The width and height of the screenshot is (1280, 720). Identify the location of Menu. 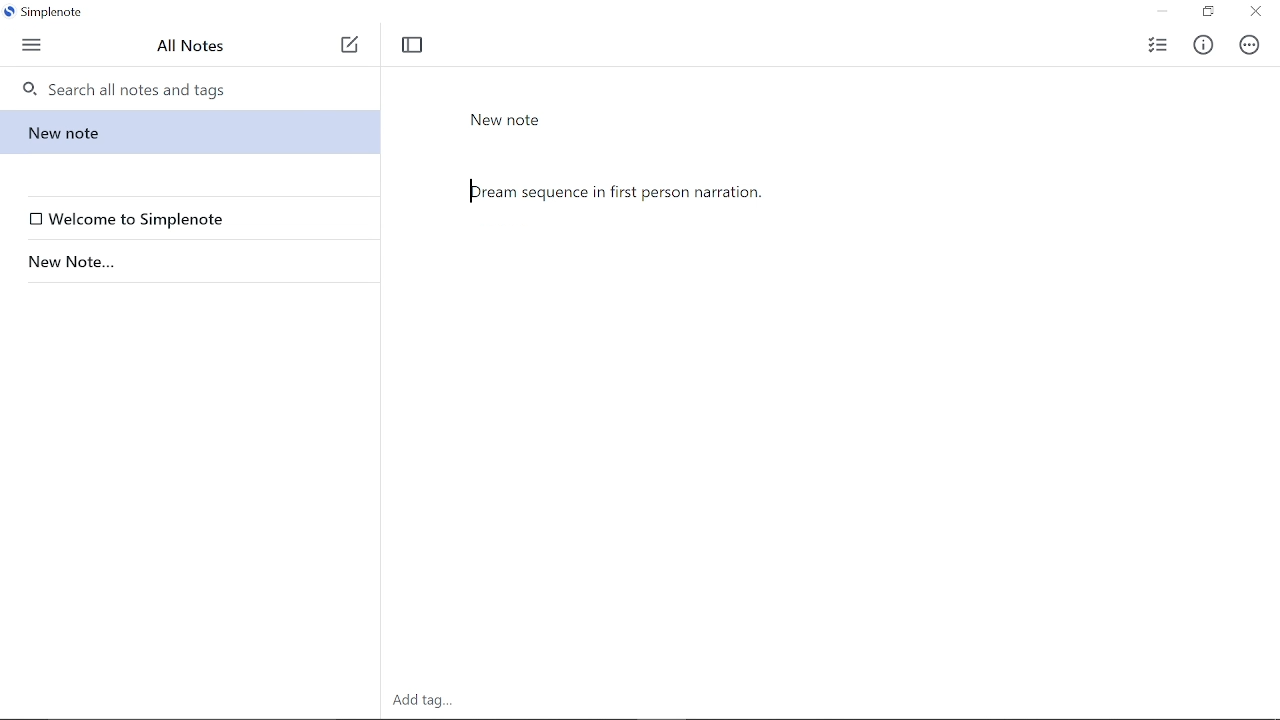
(33, 43).